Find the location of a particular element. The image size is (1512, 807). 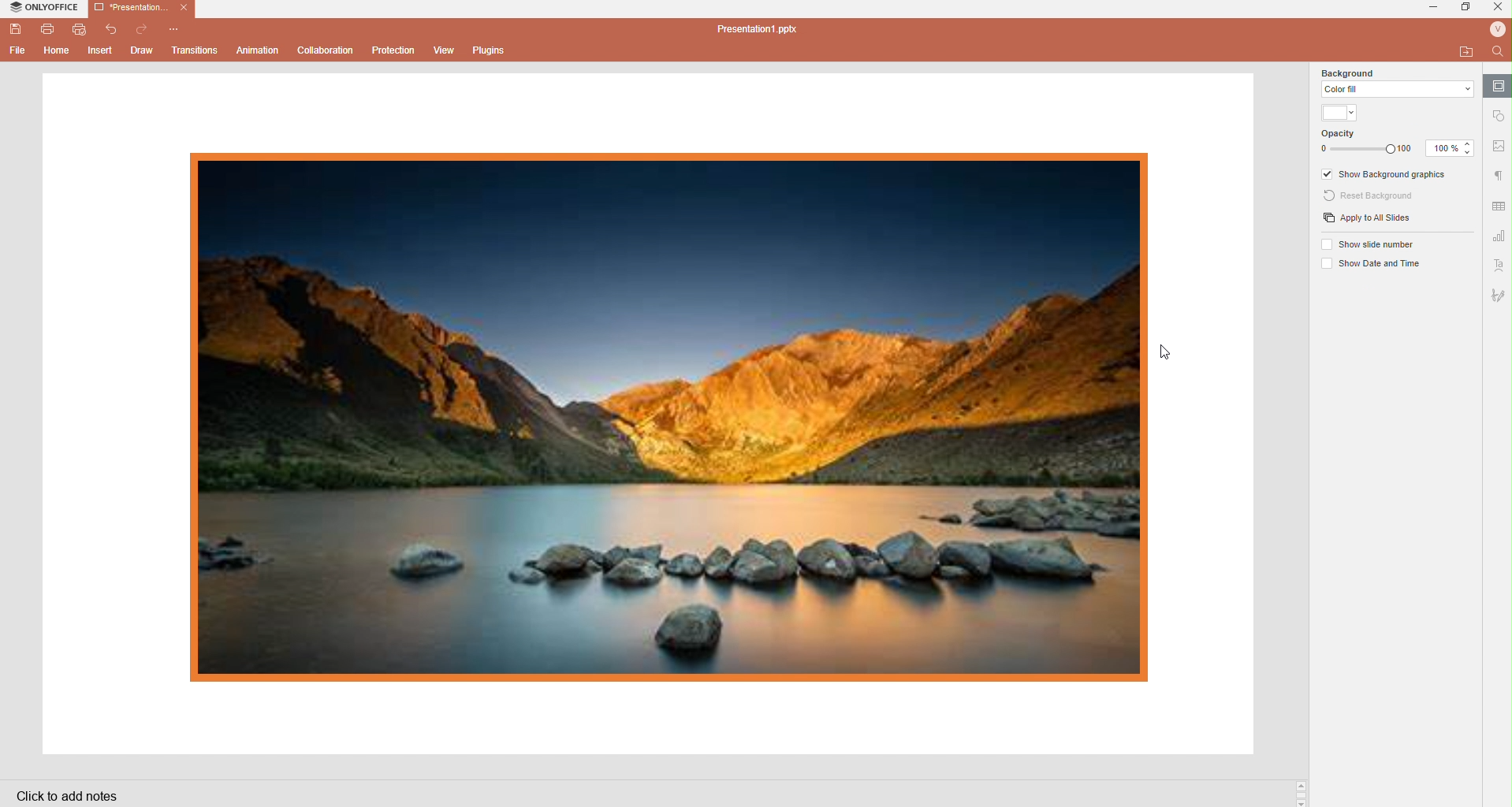

Redo is located at coordinates (143, 28).